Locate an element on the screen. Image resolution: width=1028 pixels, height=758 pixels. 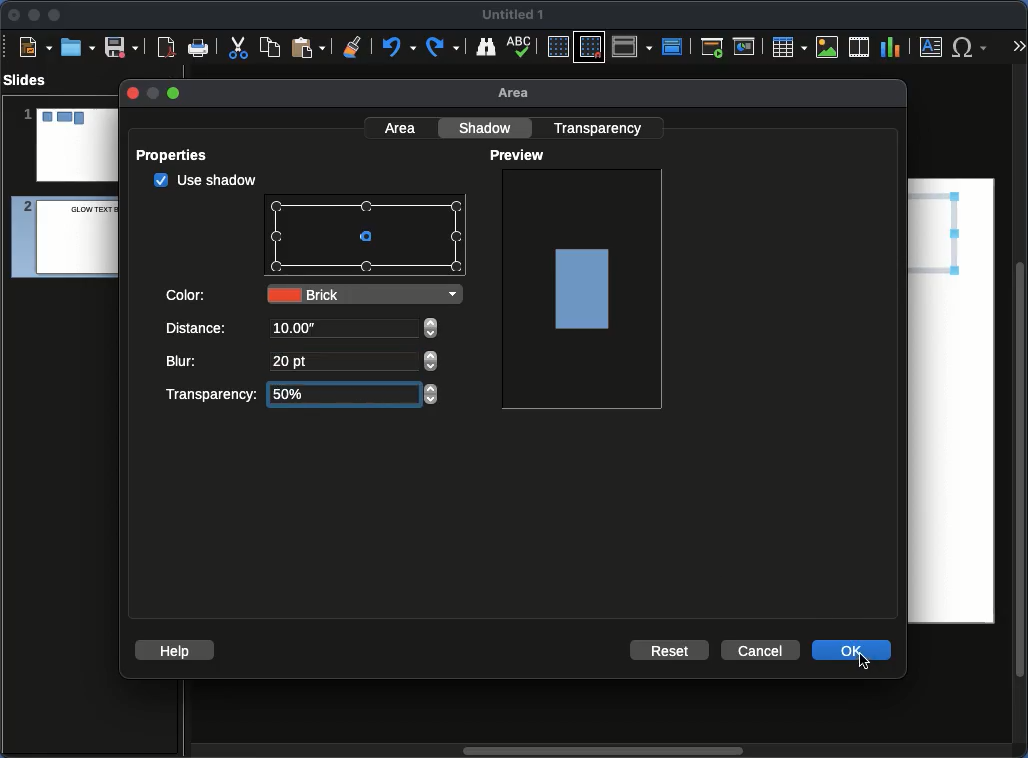
Redo is located at coordinates (444, 47).